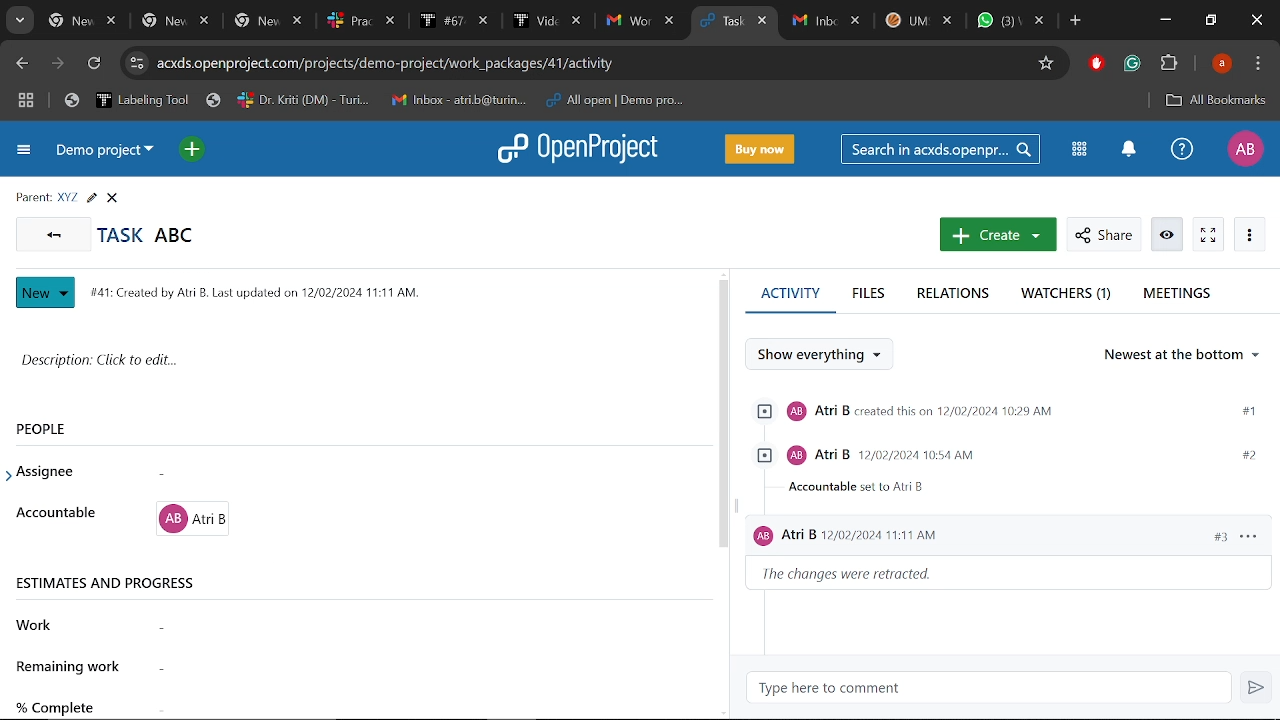 The height and width of the screenshot is (720, 1280). I want to click on Task assignee, so click(398, 474).